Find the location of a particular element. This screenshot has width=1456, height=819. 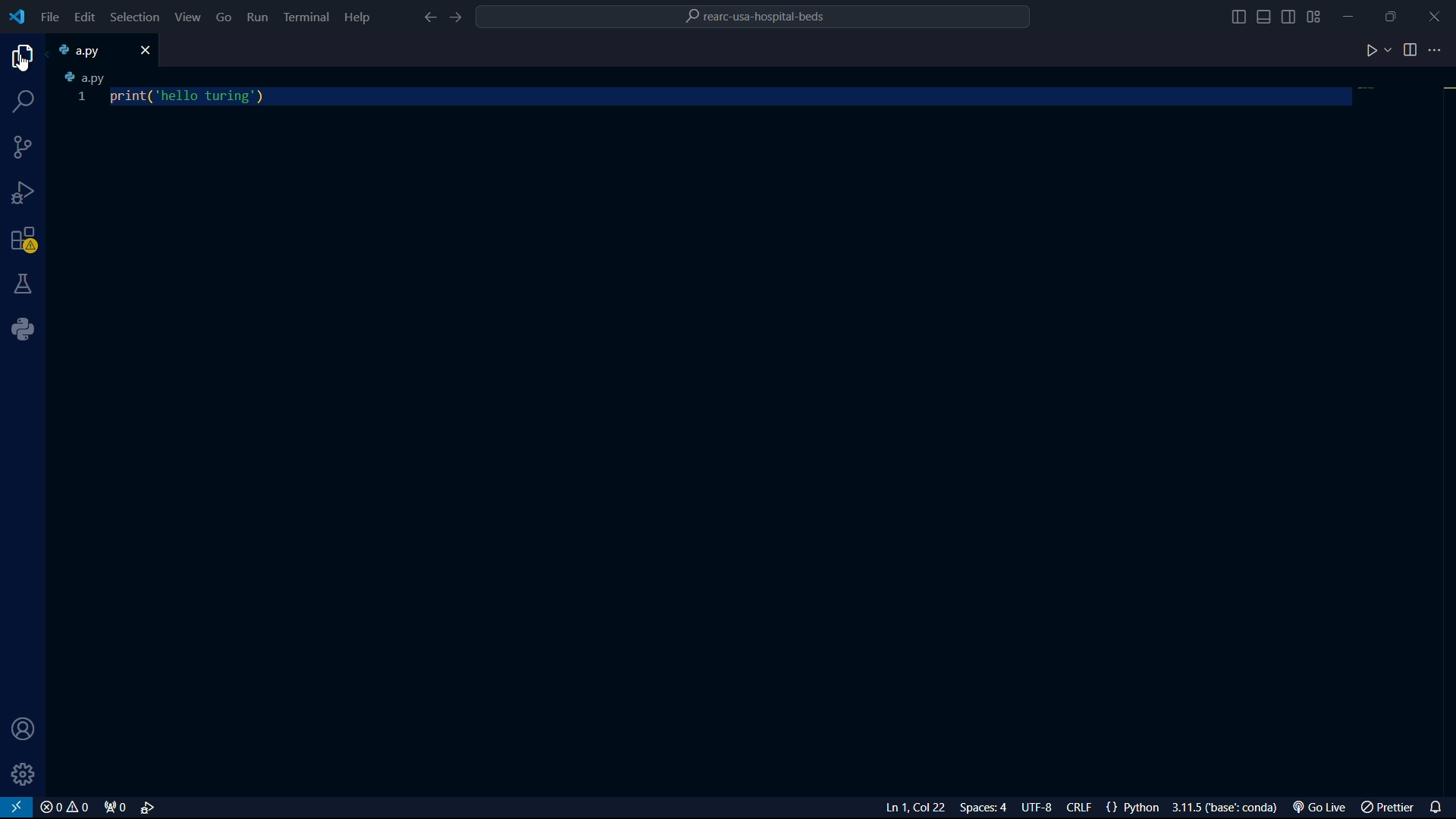

extensions is located at coordinates (27, 240).